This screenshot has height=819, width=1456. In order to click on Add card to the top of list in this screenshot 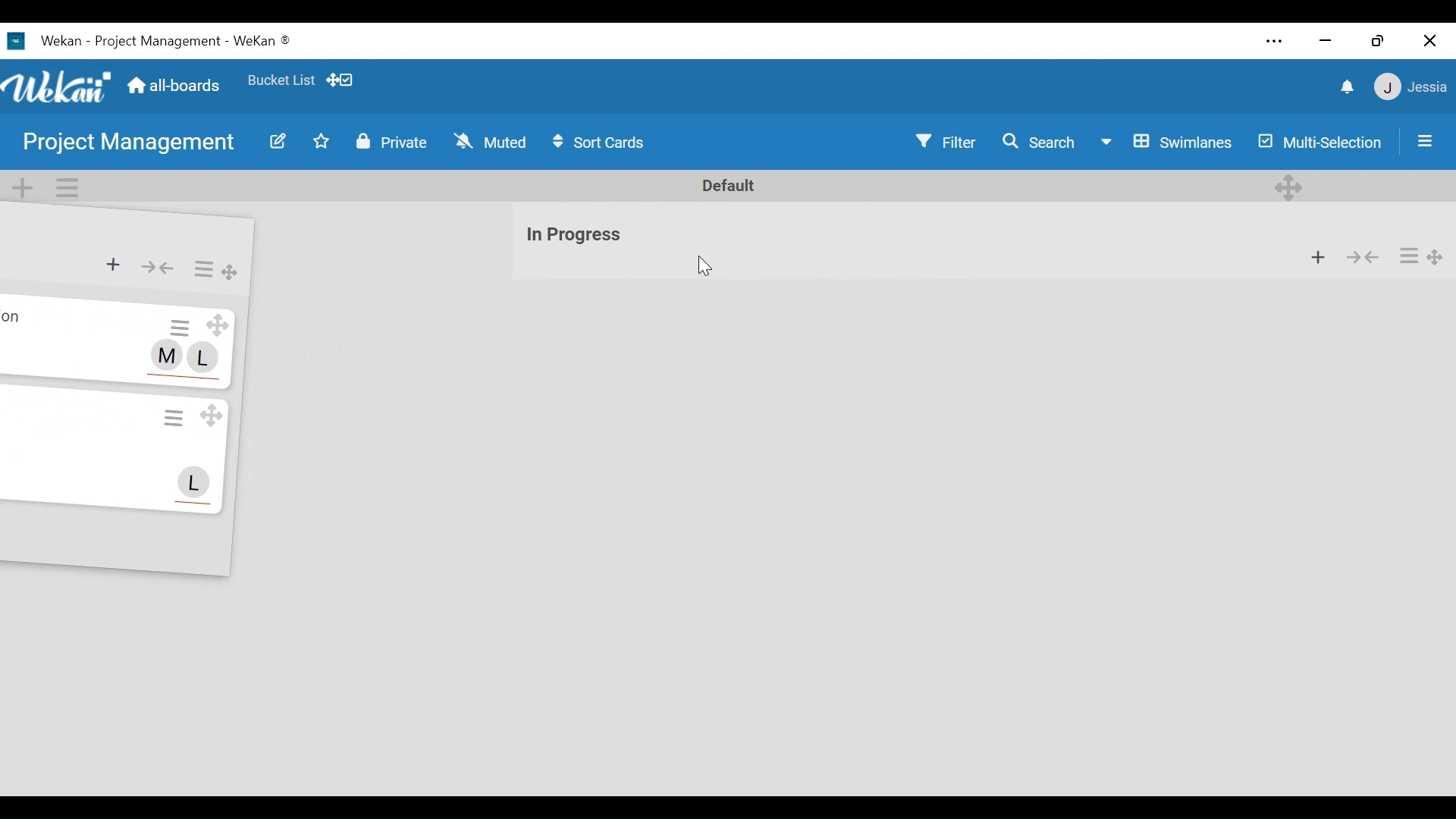, I will do `click(113, 264)`.